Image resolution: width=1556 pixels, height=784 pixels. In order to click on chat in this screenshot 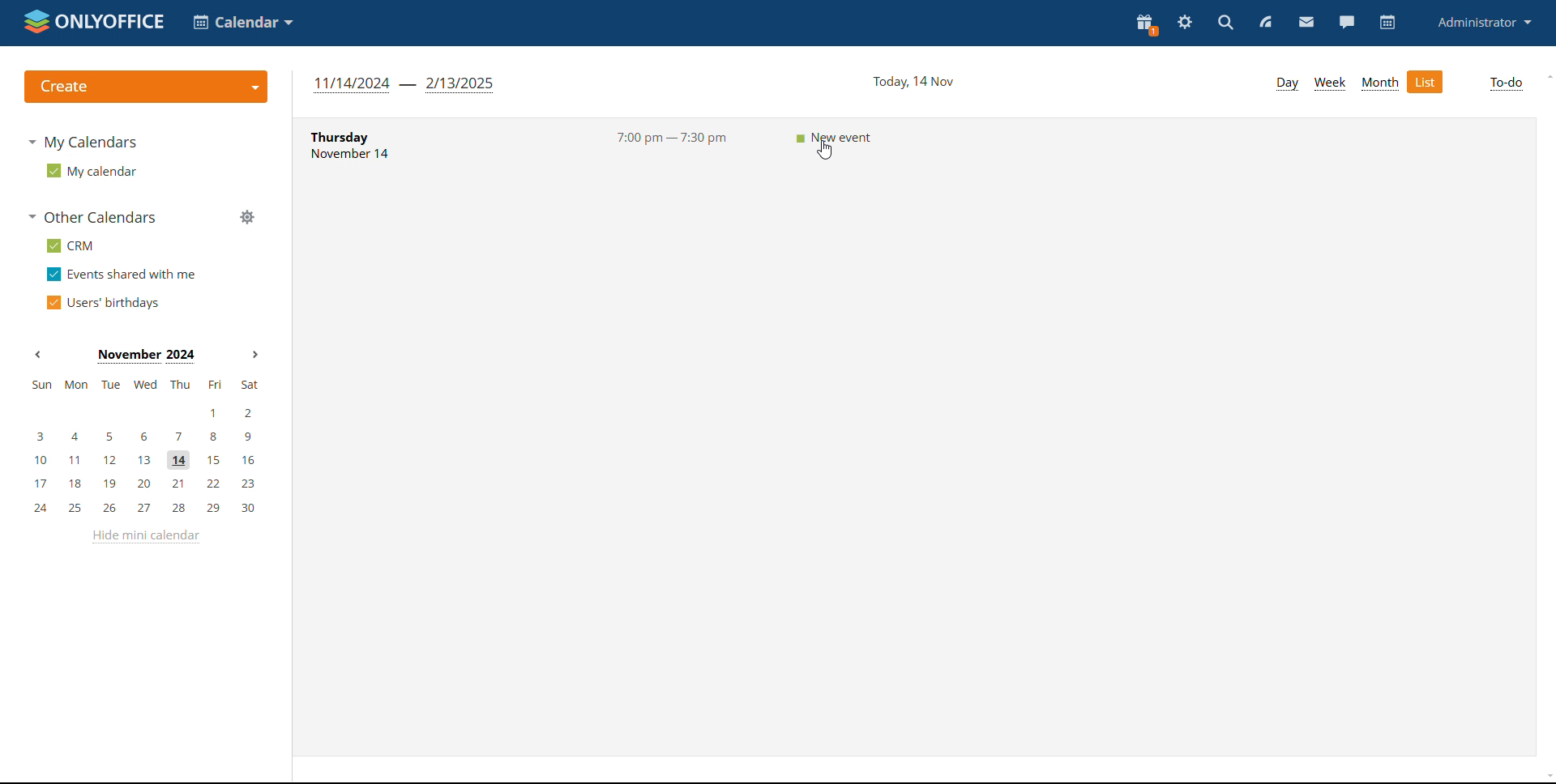, I will do `click(1346, 23)`.